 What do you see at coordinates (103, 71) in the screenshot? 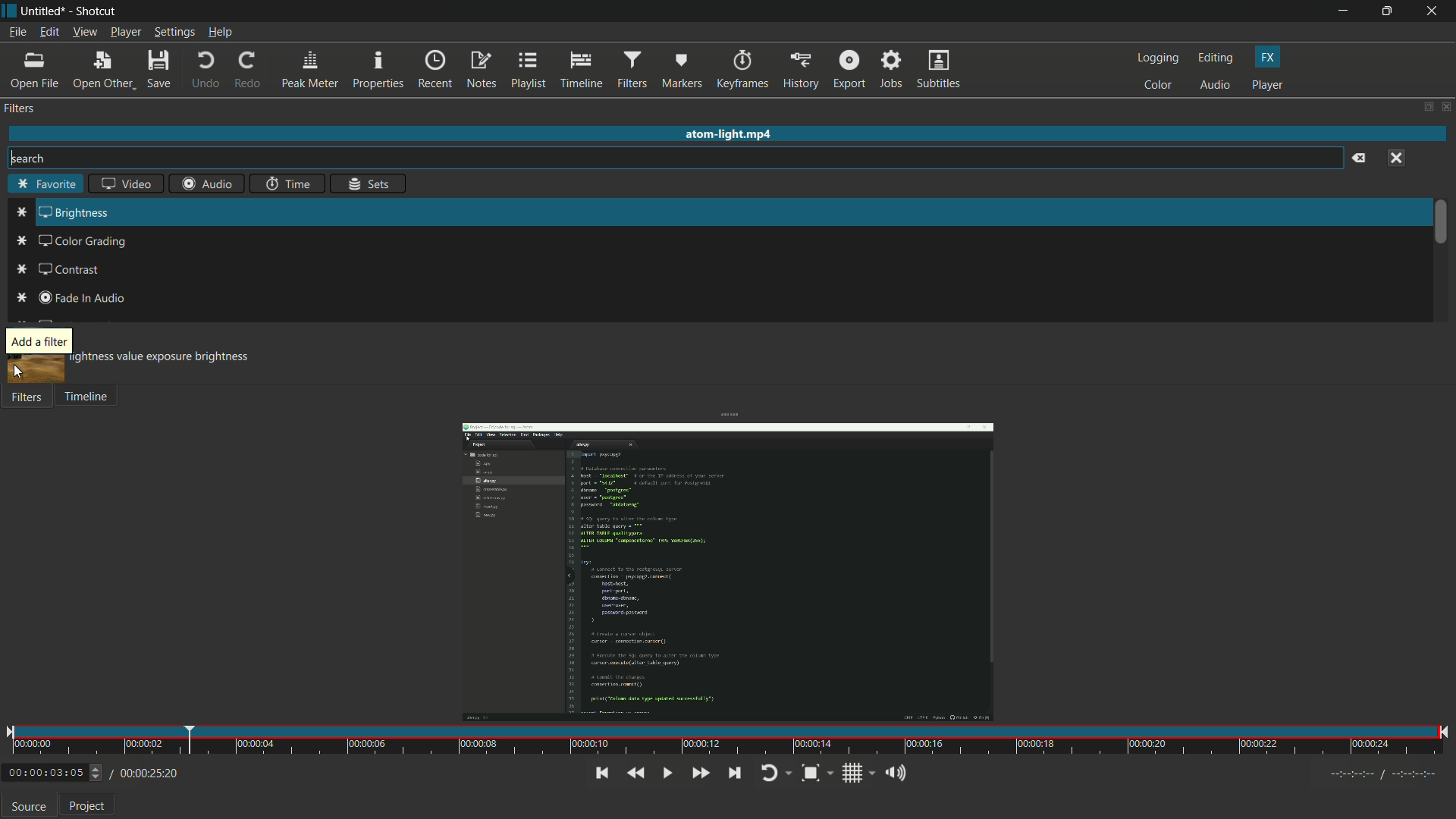
I see `open other` at bounding box center [103, 71].